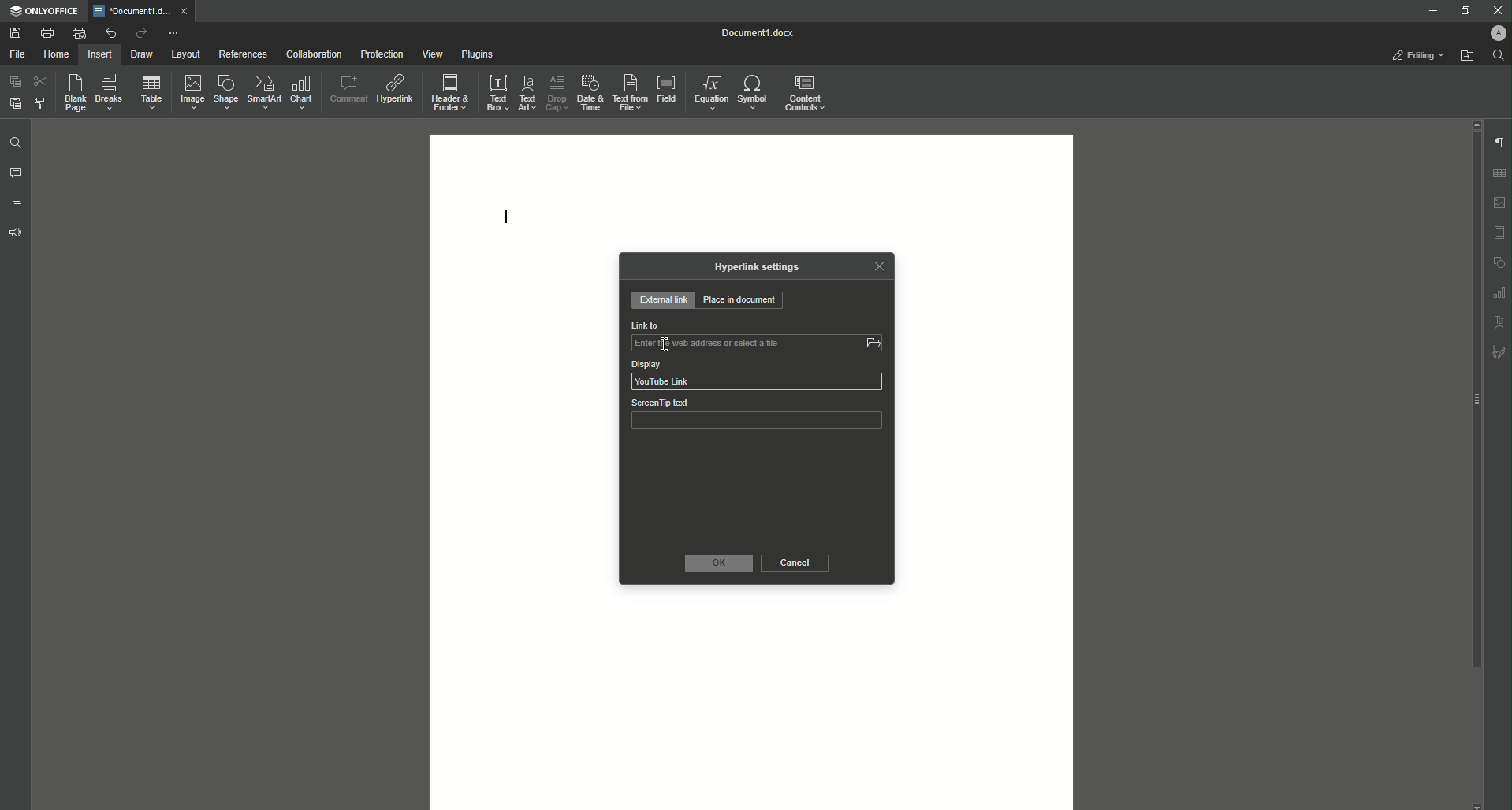  I want to click on Redo, so click(140, 33).